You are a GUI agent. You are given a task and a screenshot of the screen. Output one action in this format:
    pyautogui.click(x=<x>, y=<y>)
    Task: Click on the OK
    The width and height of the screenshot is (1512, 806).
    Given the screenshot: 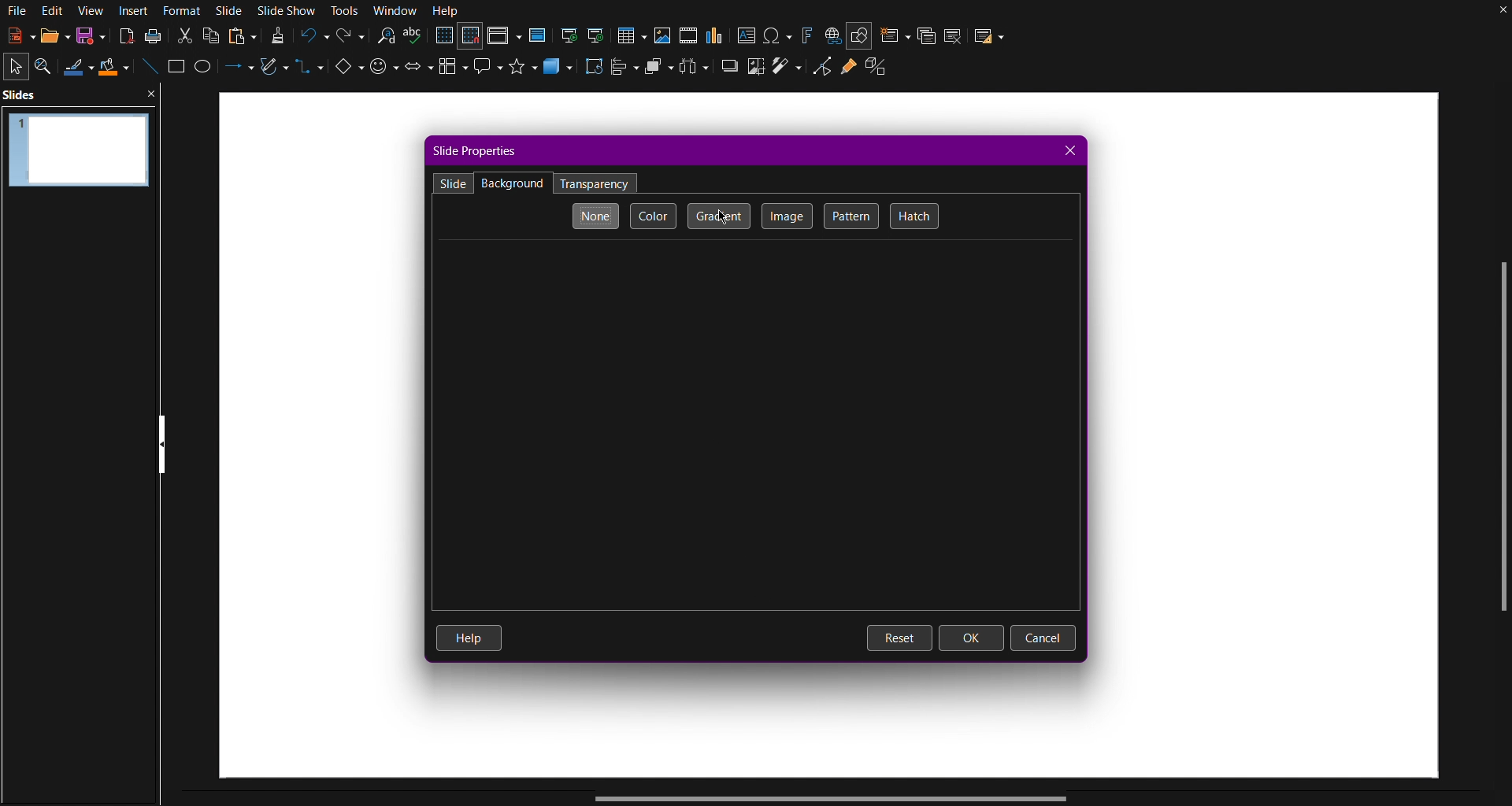 What is the action you would take?
    pyautogui.click(x=972, y=638)
    